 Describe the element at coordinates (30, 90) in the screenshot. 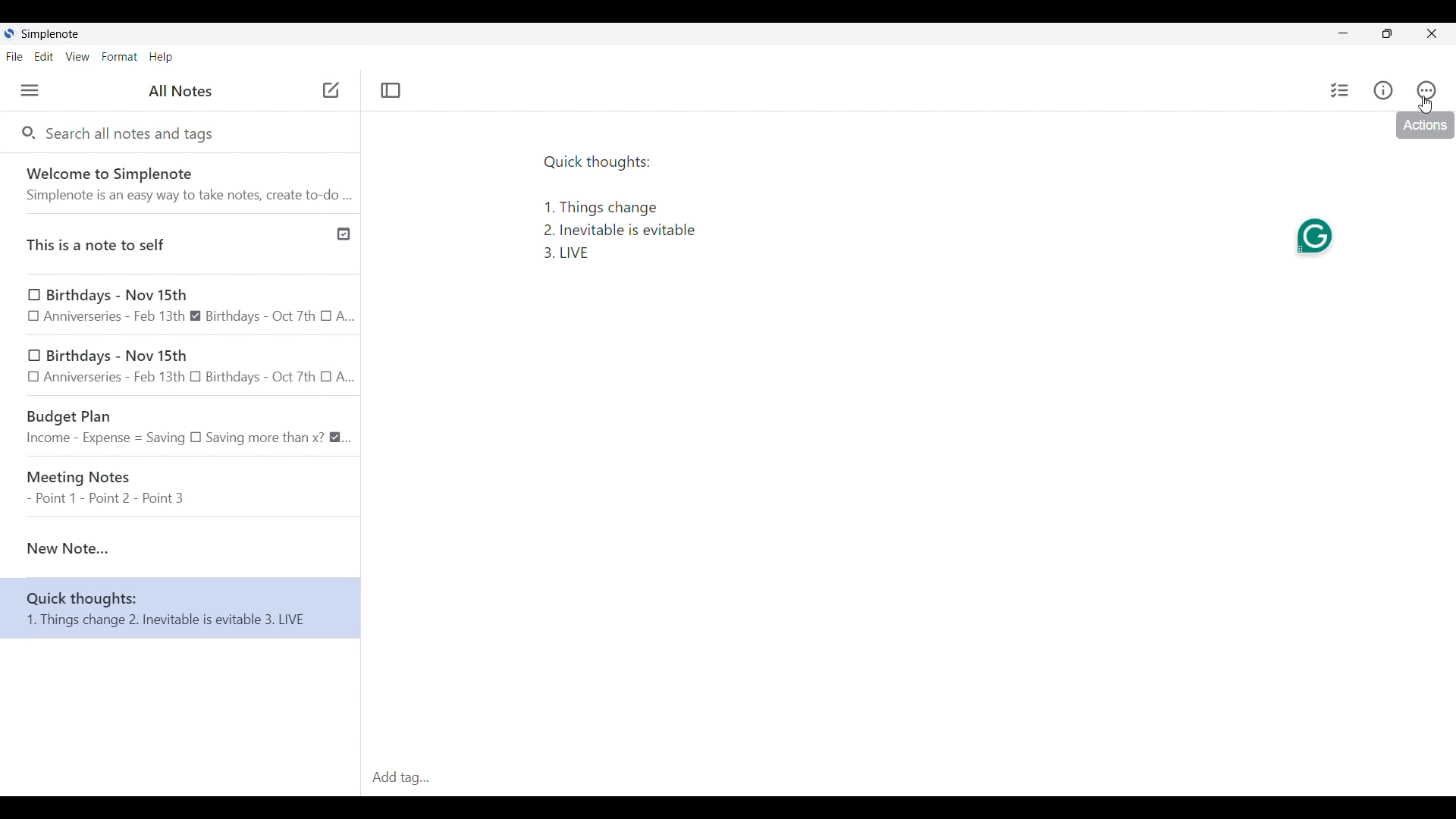

I see `Menu` at that location.